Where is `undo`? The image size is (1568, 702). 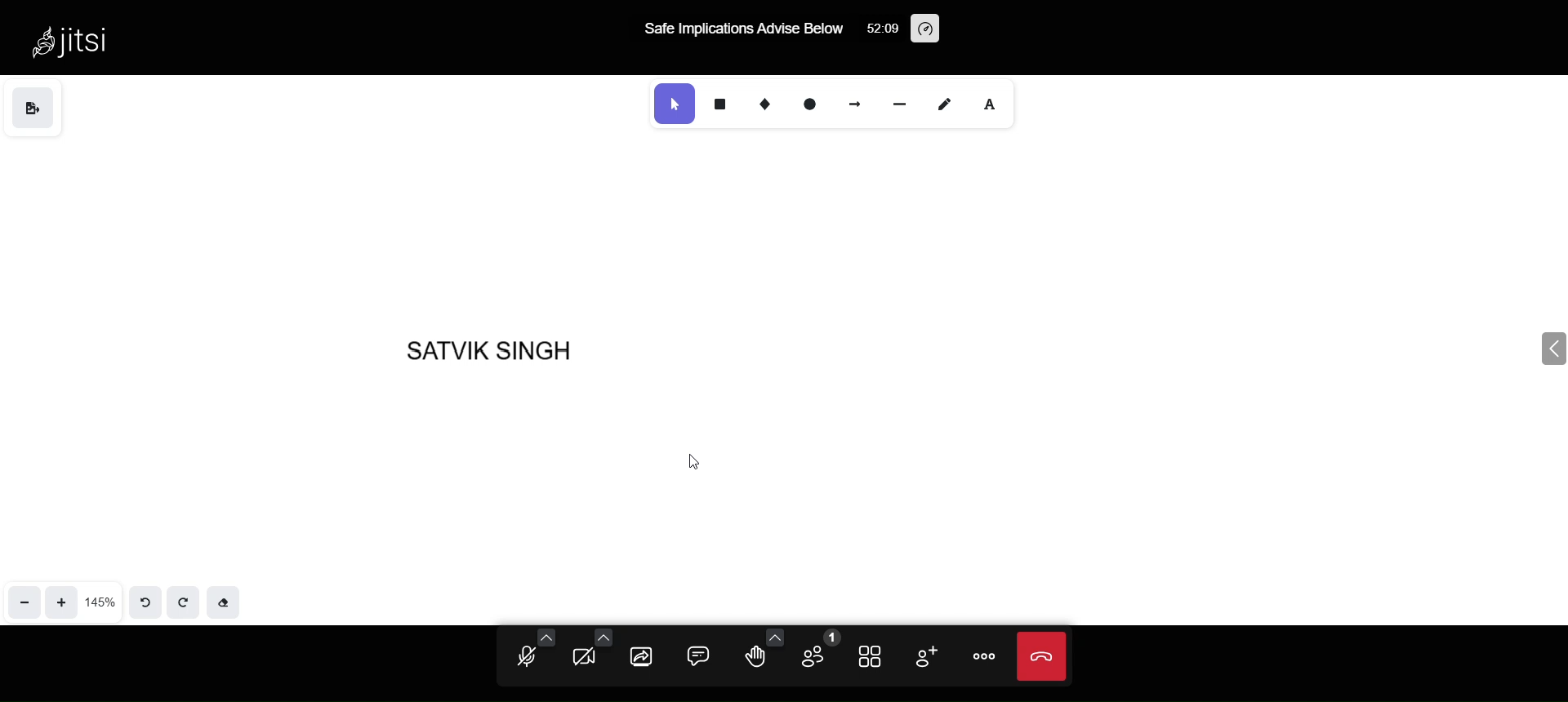 undo is located at coordinates (142, 600).